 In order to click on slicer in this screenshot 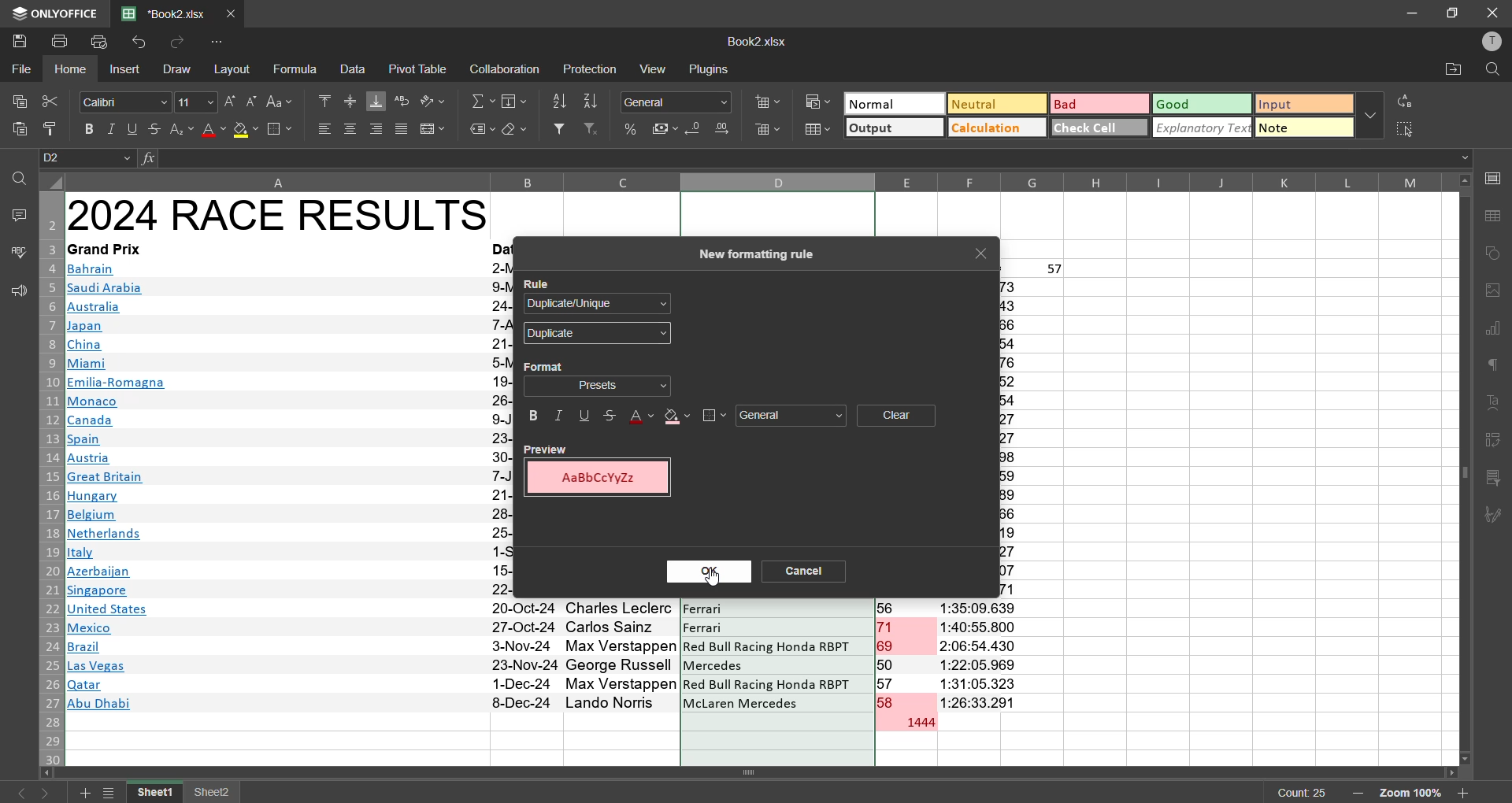, I will do `click(1494, 479)`.